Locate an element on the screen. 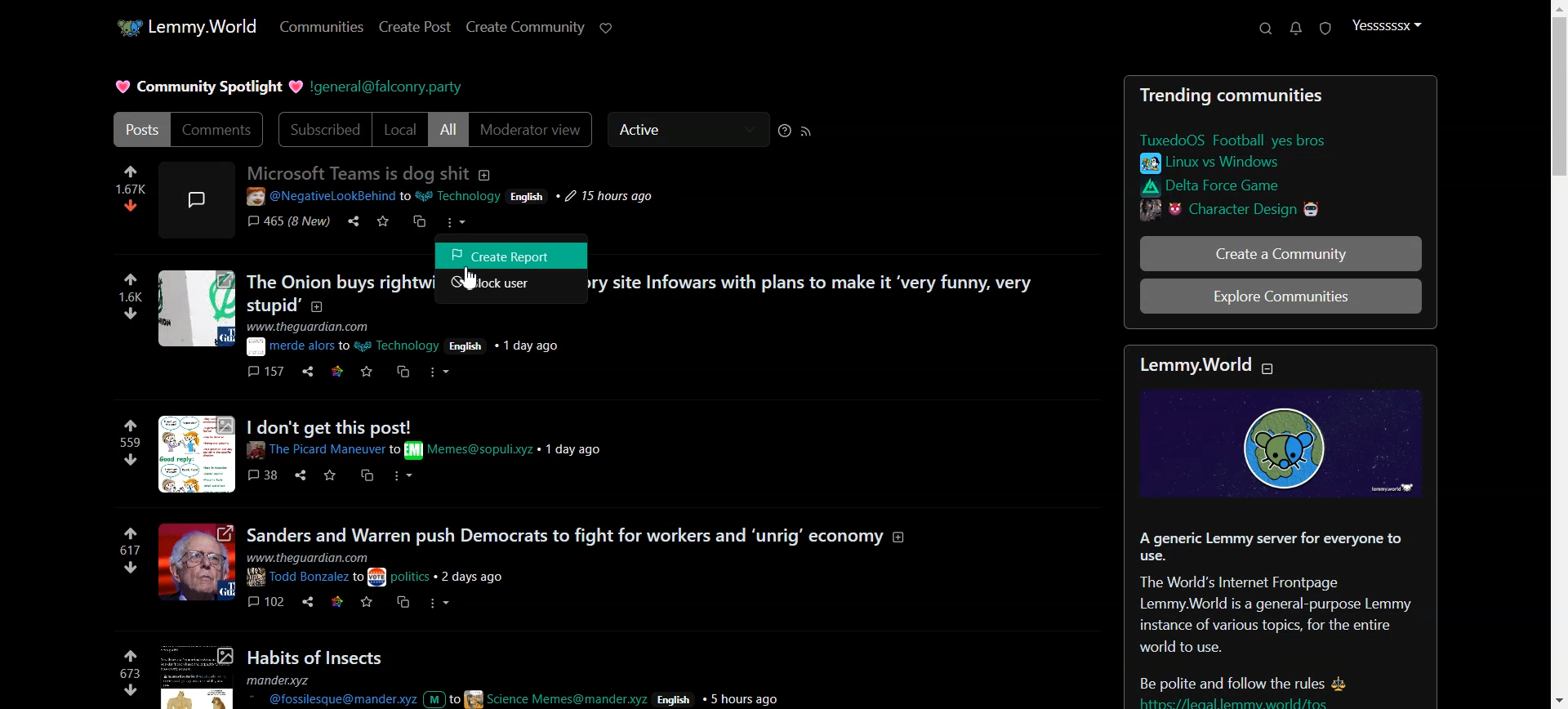 Image resolution: width=1568 pixels, height=709 pixels. dislike is located at coordinates (131, 459).